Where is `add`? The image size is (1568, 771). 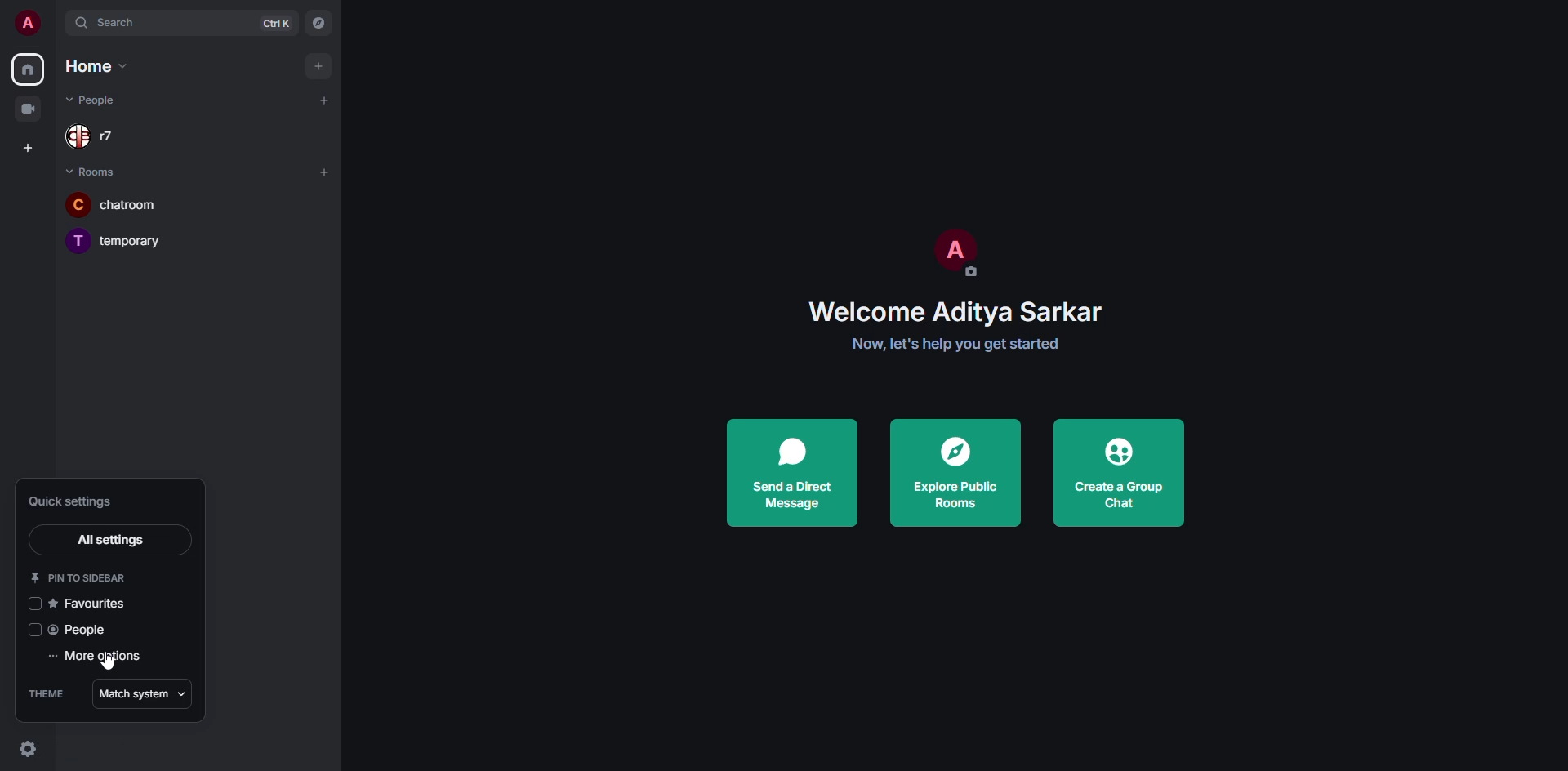
add is located at coordinates (323, 100).